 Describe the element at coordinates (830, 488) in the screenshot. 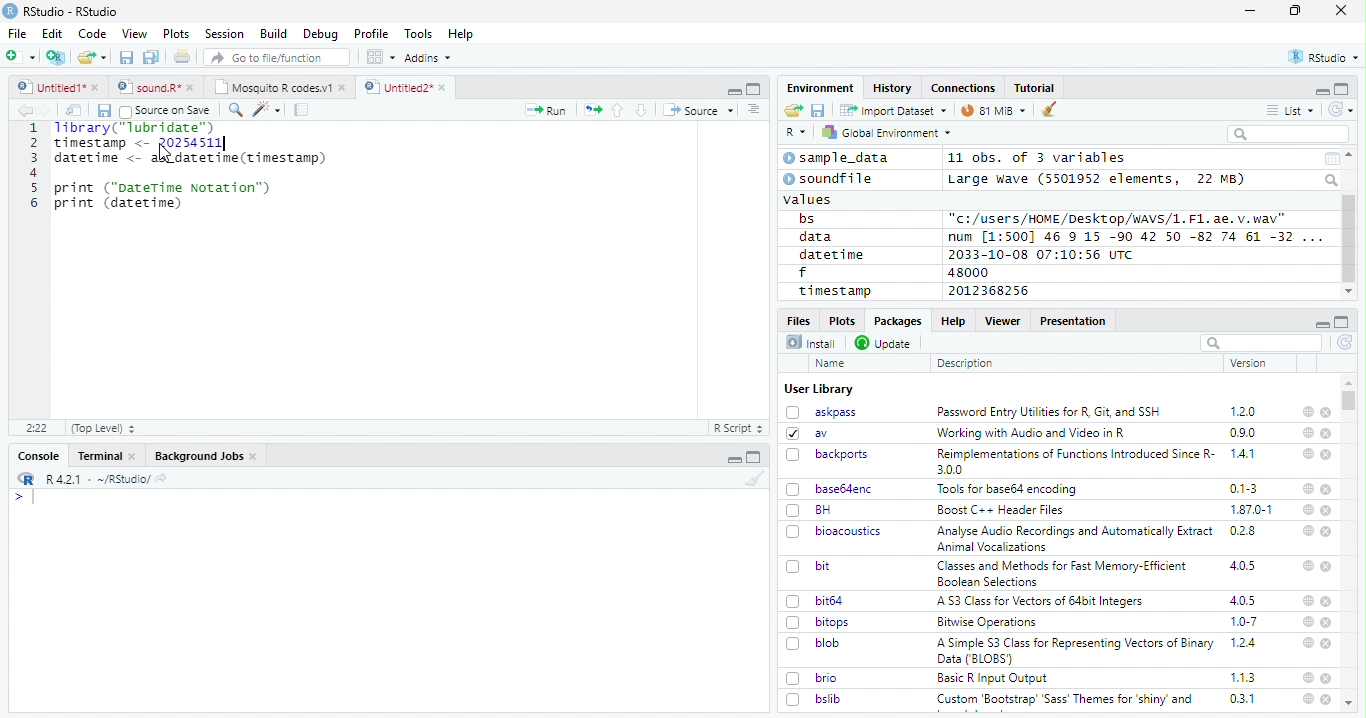

I see `base64enc` at that location.